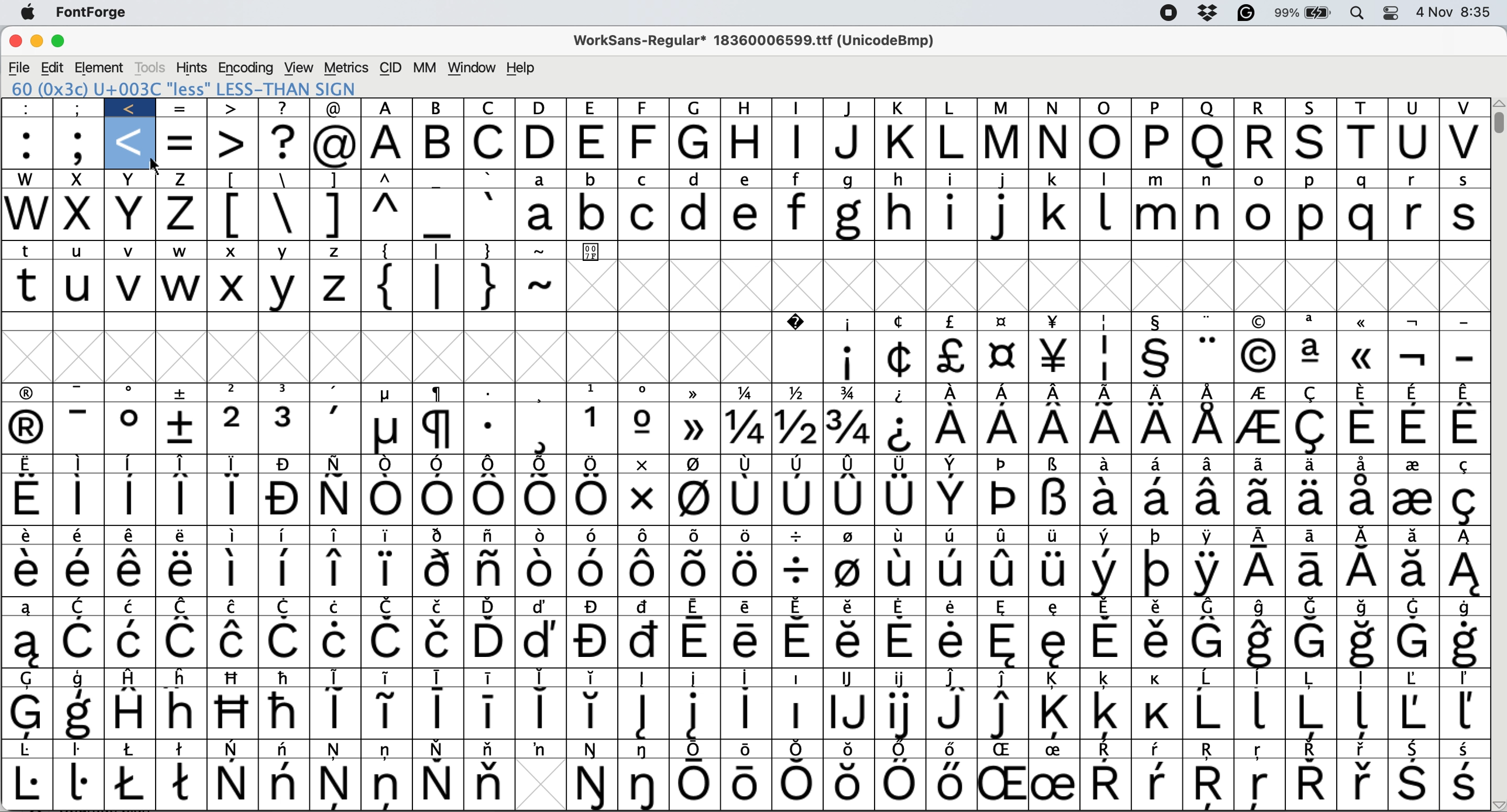 The height and width of the screenshot is (812, 1507). Describe the element at coordinates (83, 677) in the screenshot. I see `Symbol` at that location.